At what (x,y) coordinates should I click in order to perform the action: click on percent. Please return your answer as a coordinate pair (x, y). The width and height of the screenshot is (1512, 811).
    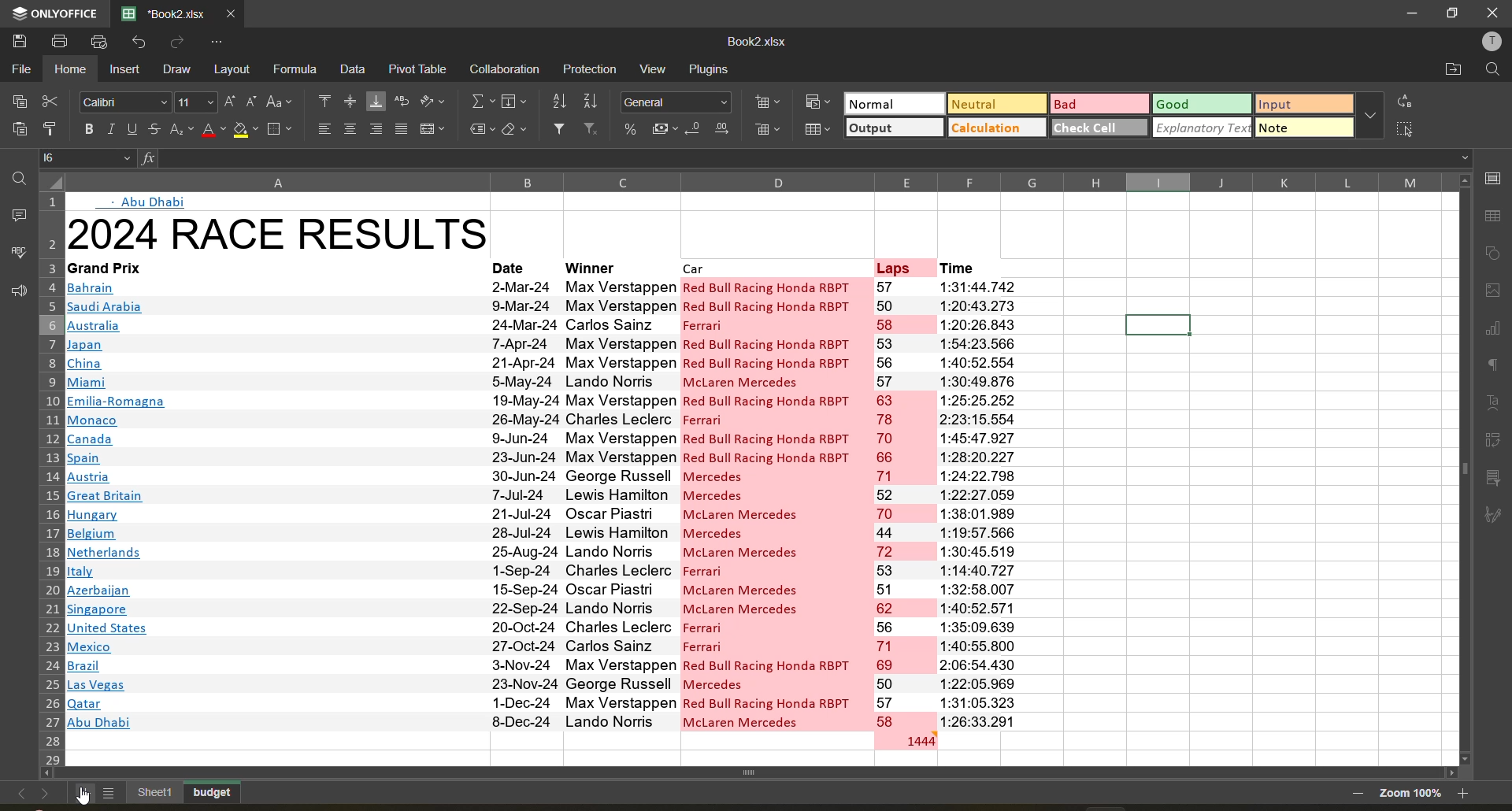
    Looking at the image, I should click on (630, 131).